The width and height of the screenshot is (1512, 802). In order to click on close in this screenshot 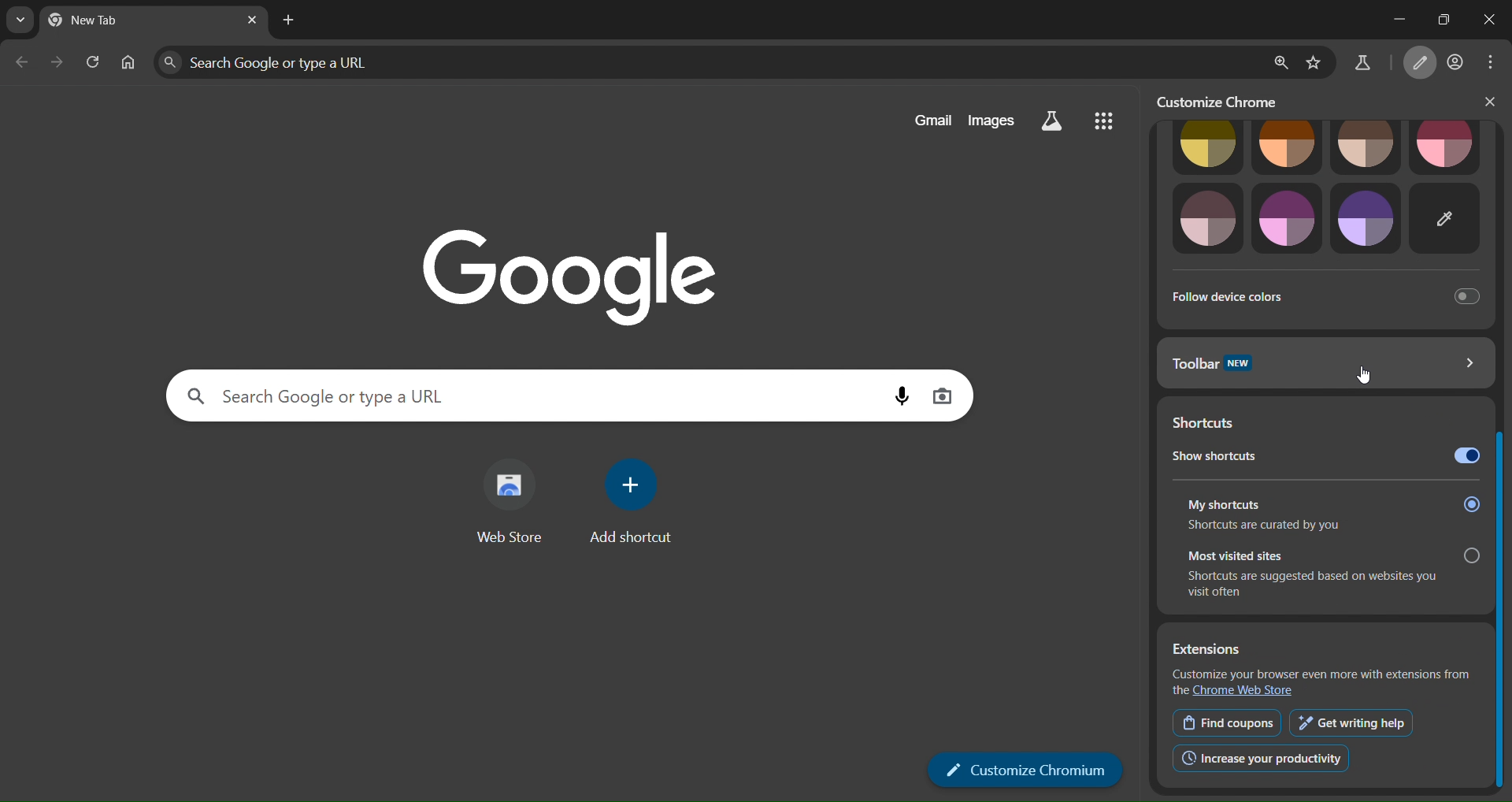, I will do `click(1484, 102)`.